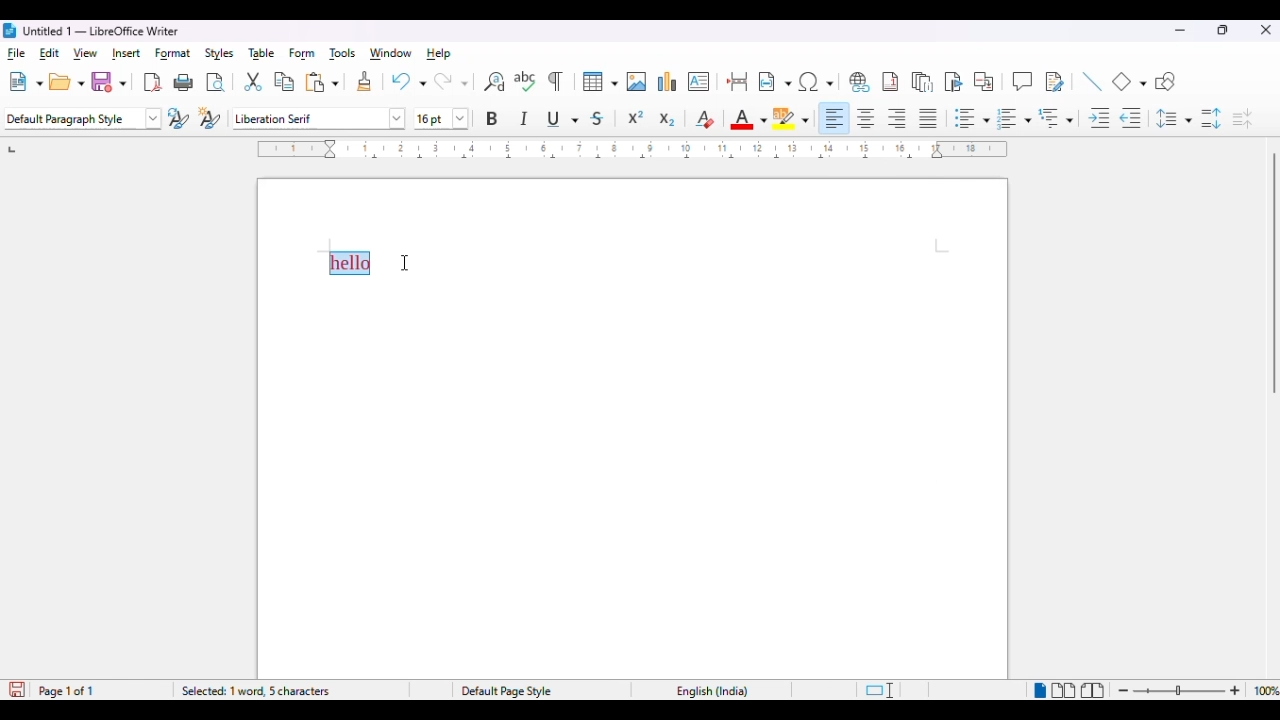 The height and width of the screenshot is (720, 1280). Describe the element at coordinates (365, 82) in the screenshot. I see `clone formatting` at that location.